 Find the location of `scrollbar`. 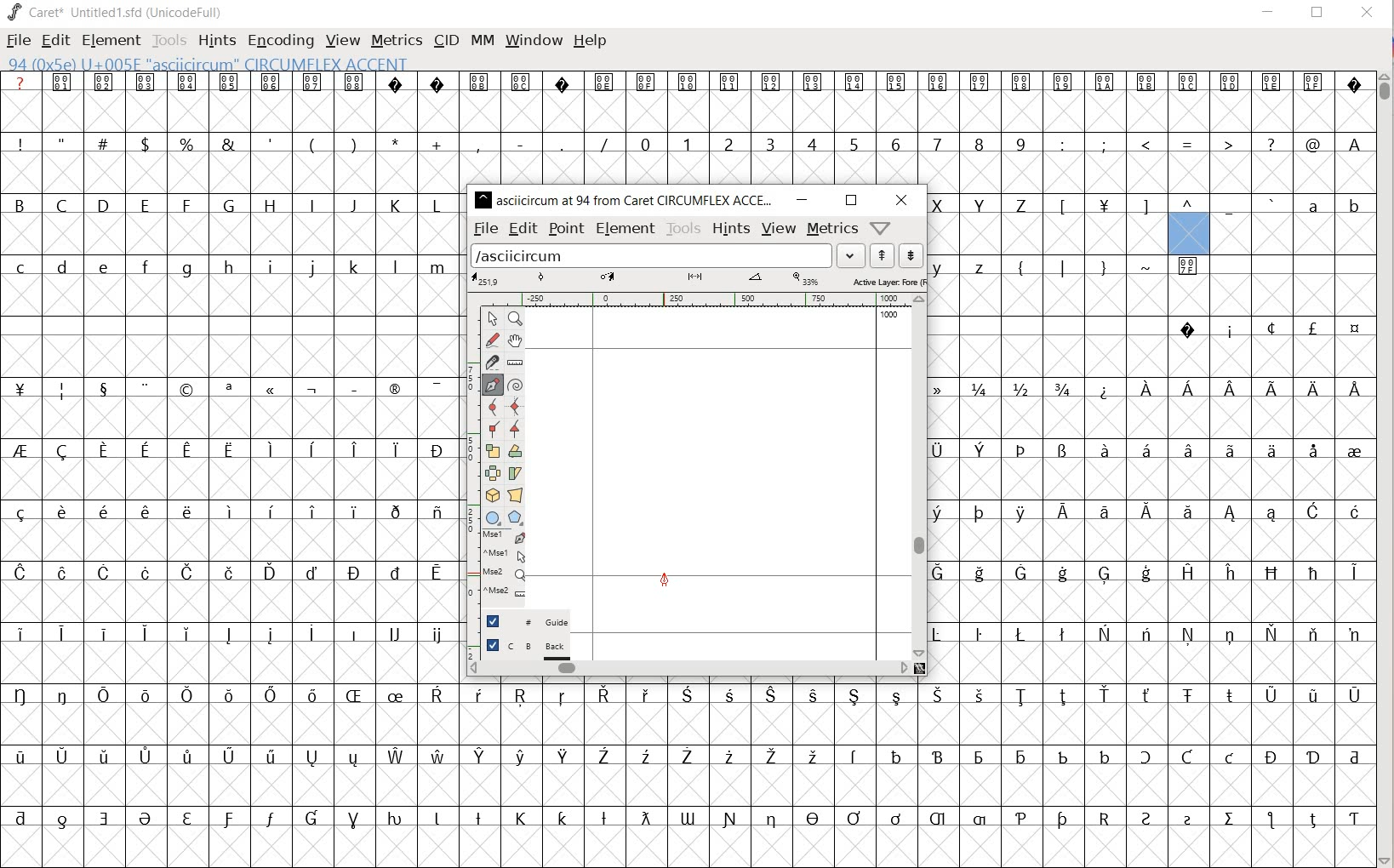

scrollbar is located at coordinates (687, 667).